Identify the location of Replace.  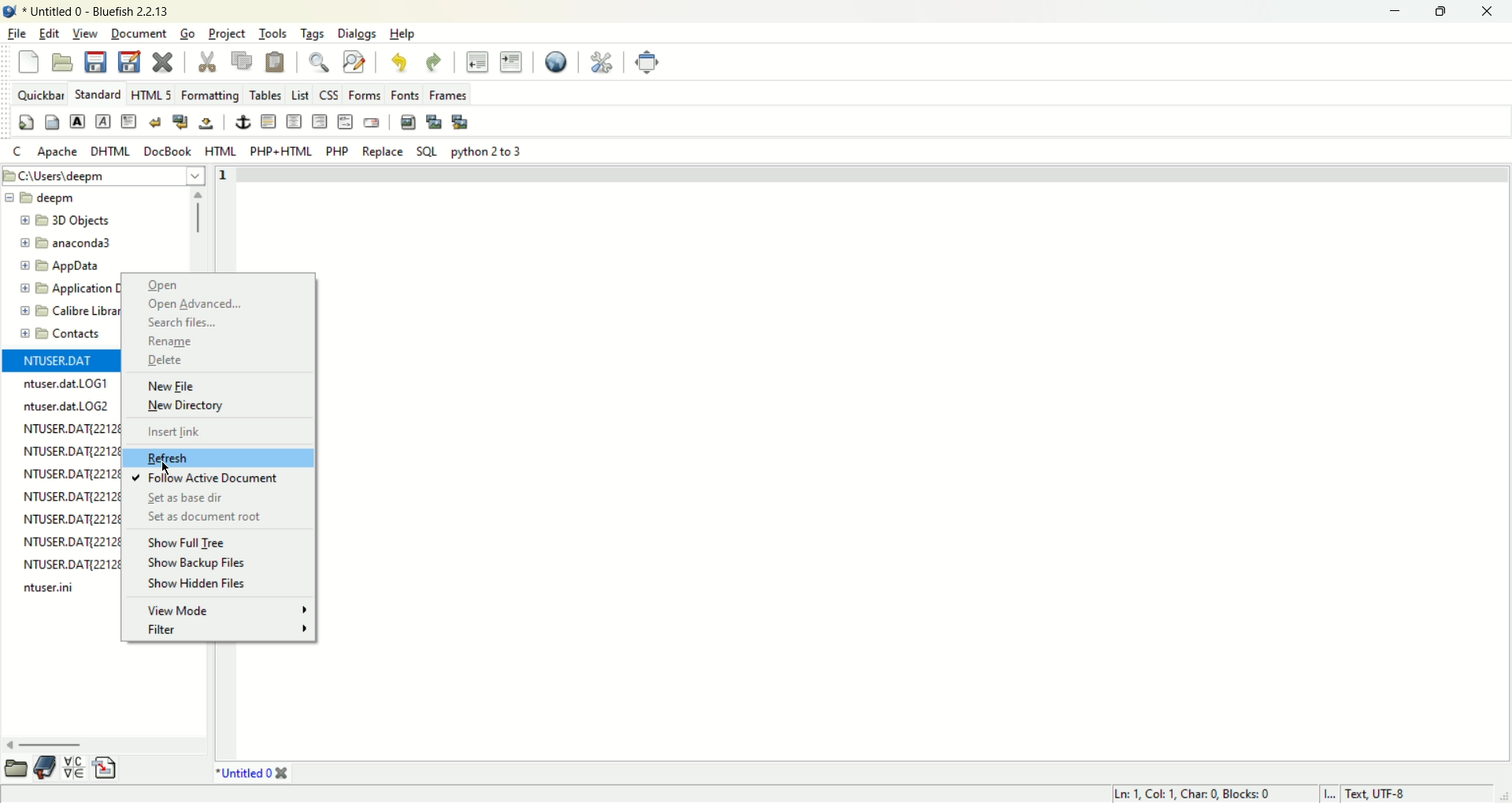
(384, 152).